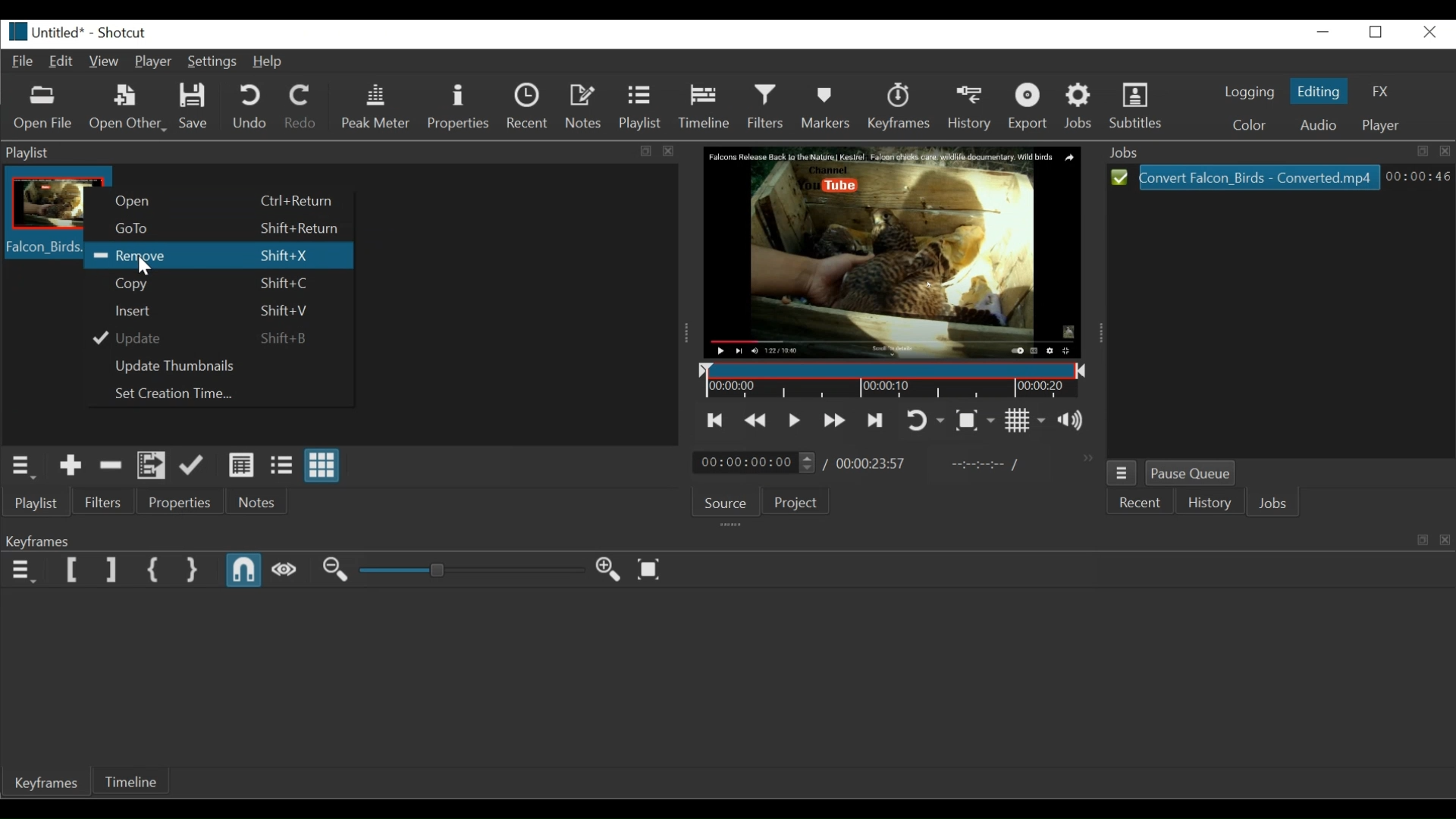 This screenshot has height=819, width=1456. What do you see at coordinates (867, 464) in the screenshot?
I see `/00.00.23:57(Total Duration)` at bounding box center [867, 464].